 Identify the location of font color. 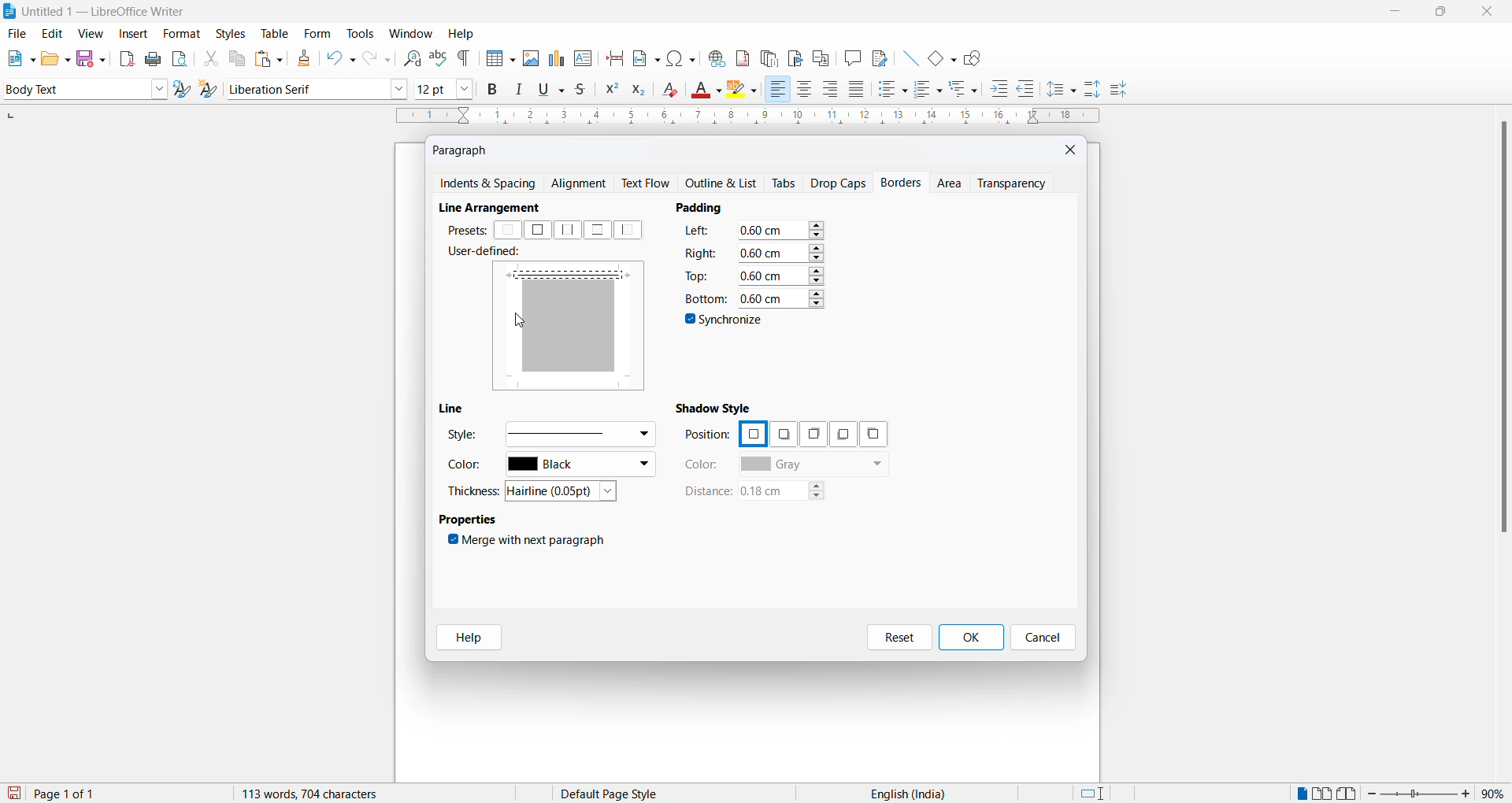
(708, 91).